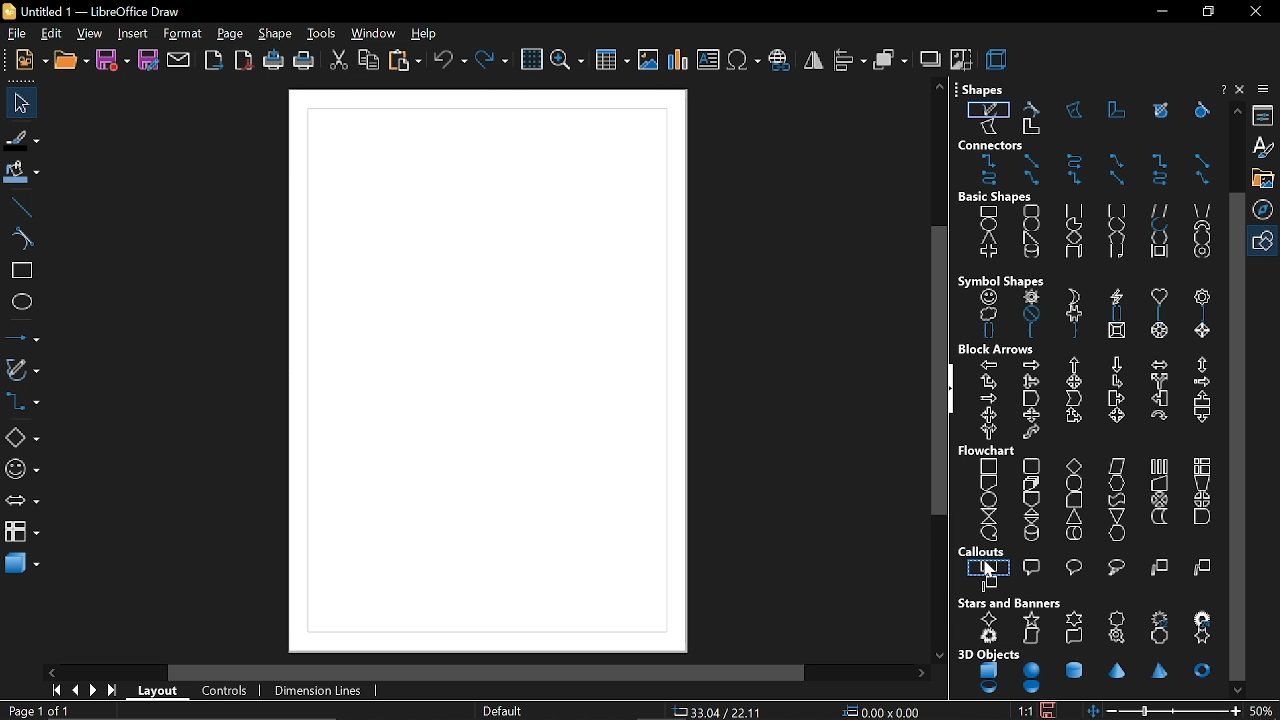  Describe the element at coordinates (988, 240) in the screenshot. I see `isosceles triangle` at that location.